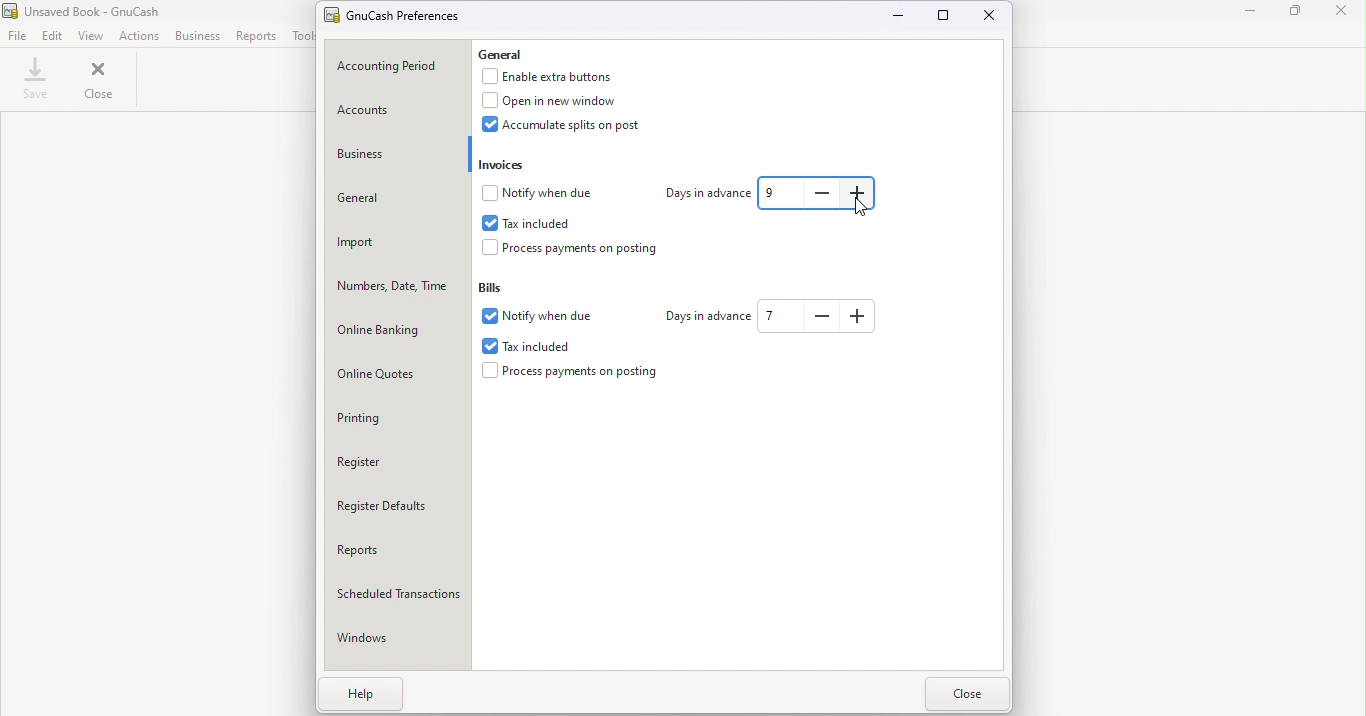 The width and height of the screenshot is (1366, 716). Describe the element at coordinates (397, 331) in the screenshot. I see `Online banking` at that location.